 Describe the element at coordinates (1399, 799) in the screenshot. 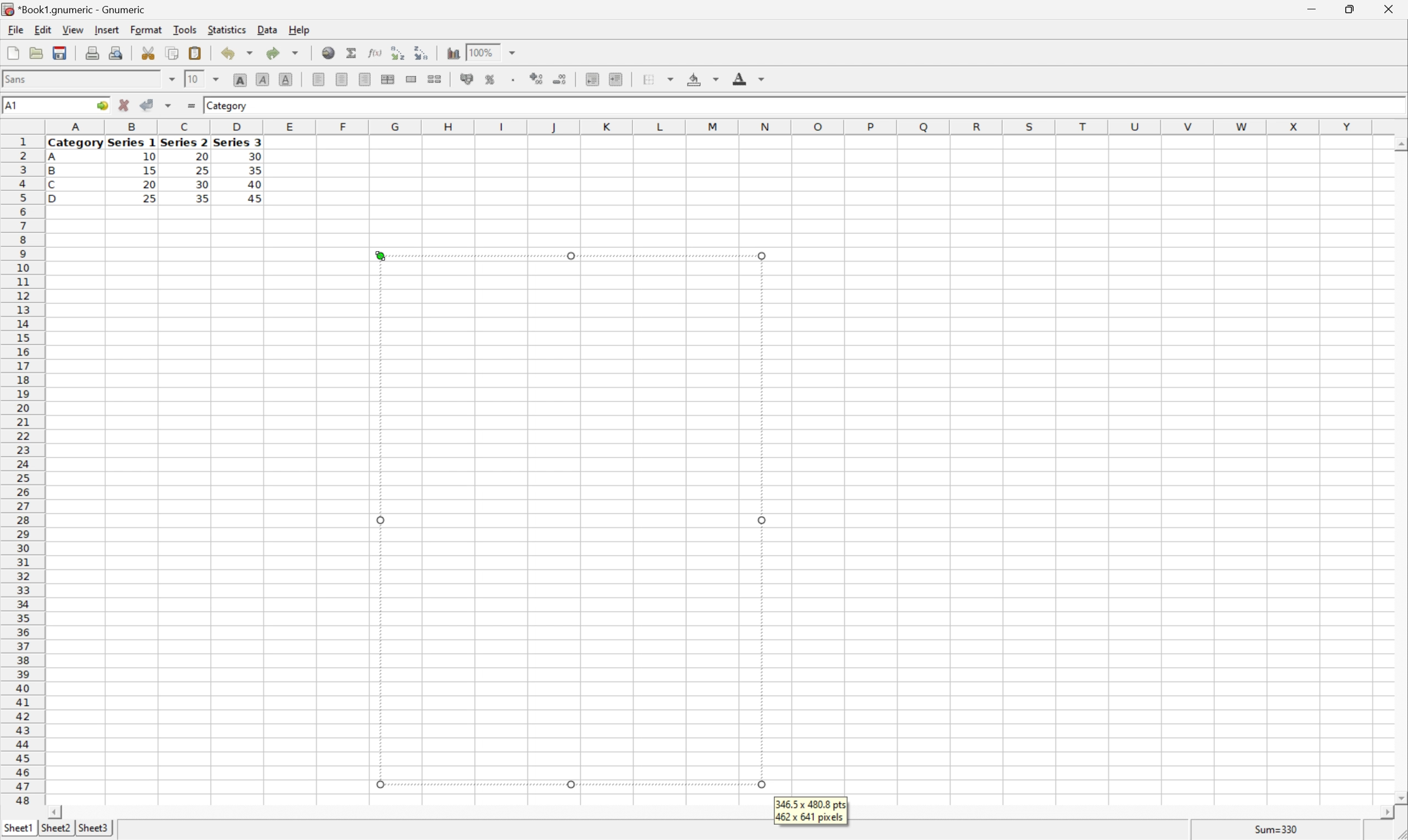

I see `Scroll Down` at that location.